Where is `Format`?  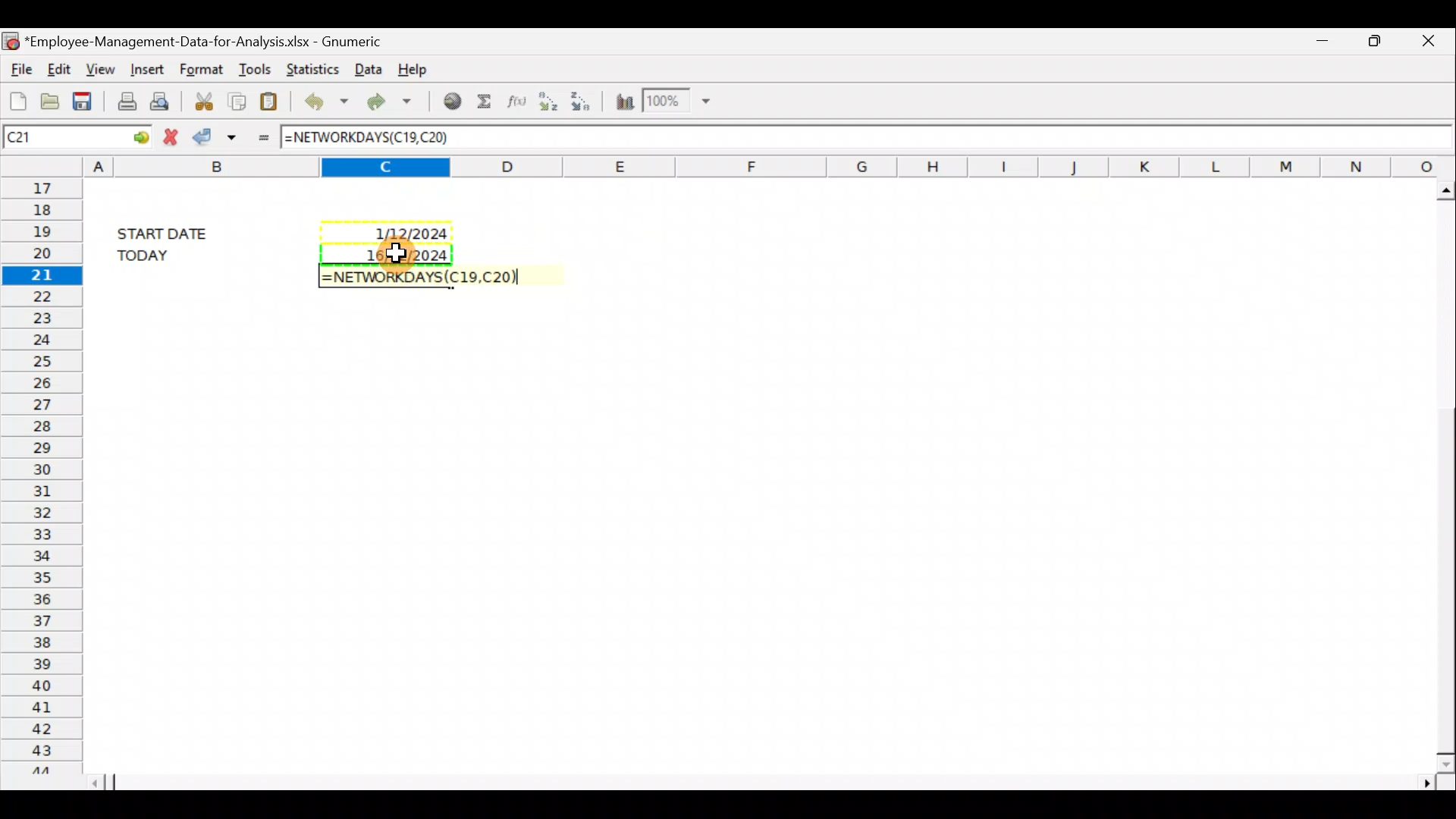 Format is located at coordinates (203, 67).